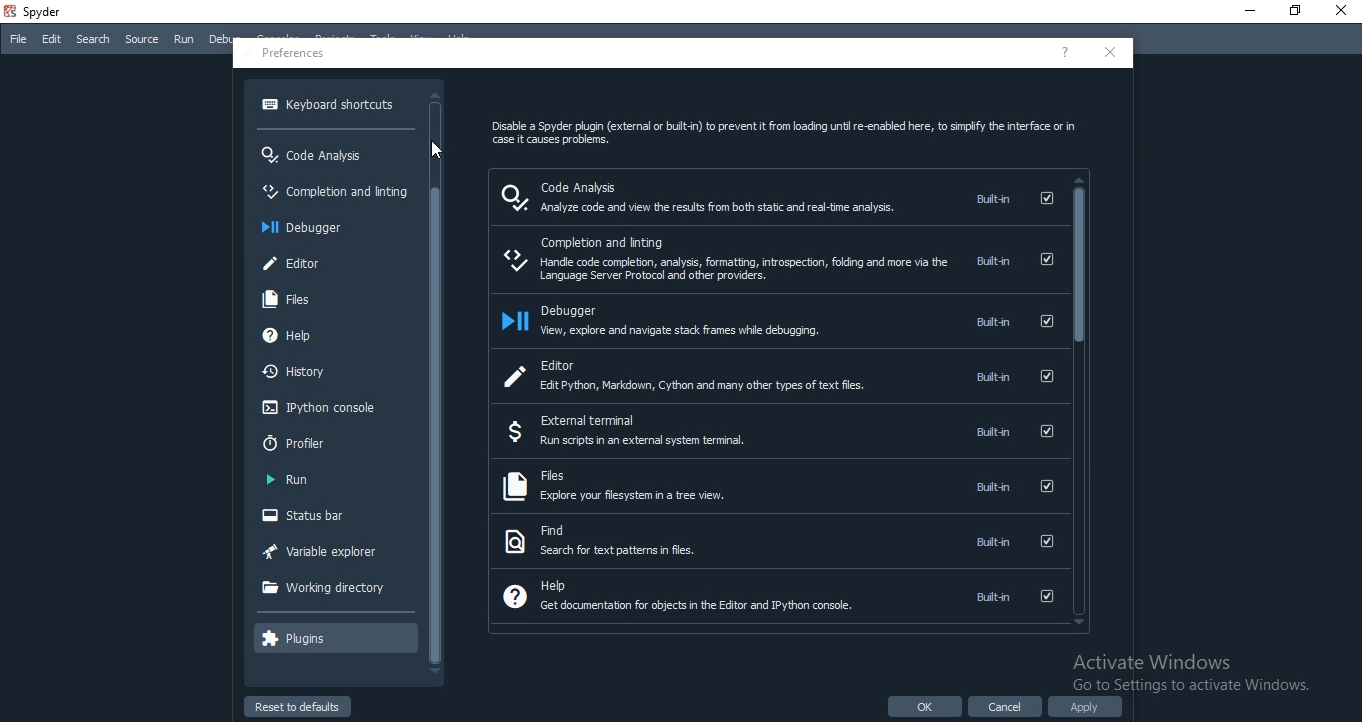 Image resolution: width=1362 pixels, height=722 pixels. I want to click on debugger, so click(777, 323).